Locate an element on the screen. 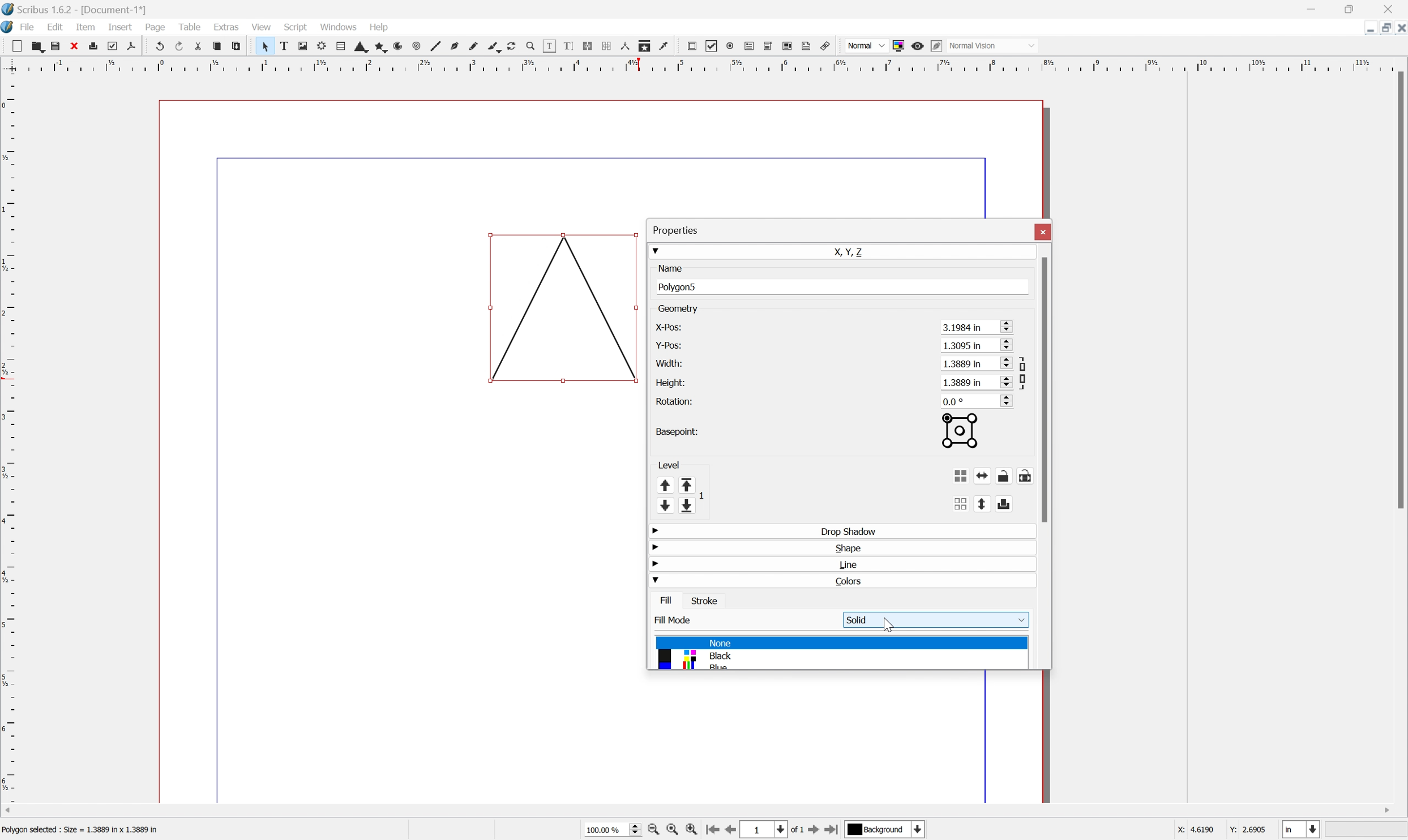 This screenshot has height=840, width=1408. Cut is located at coordinates (196, 46).